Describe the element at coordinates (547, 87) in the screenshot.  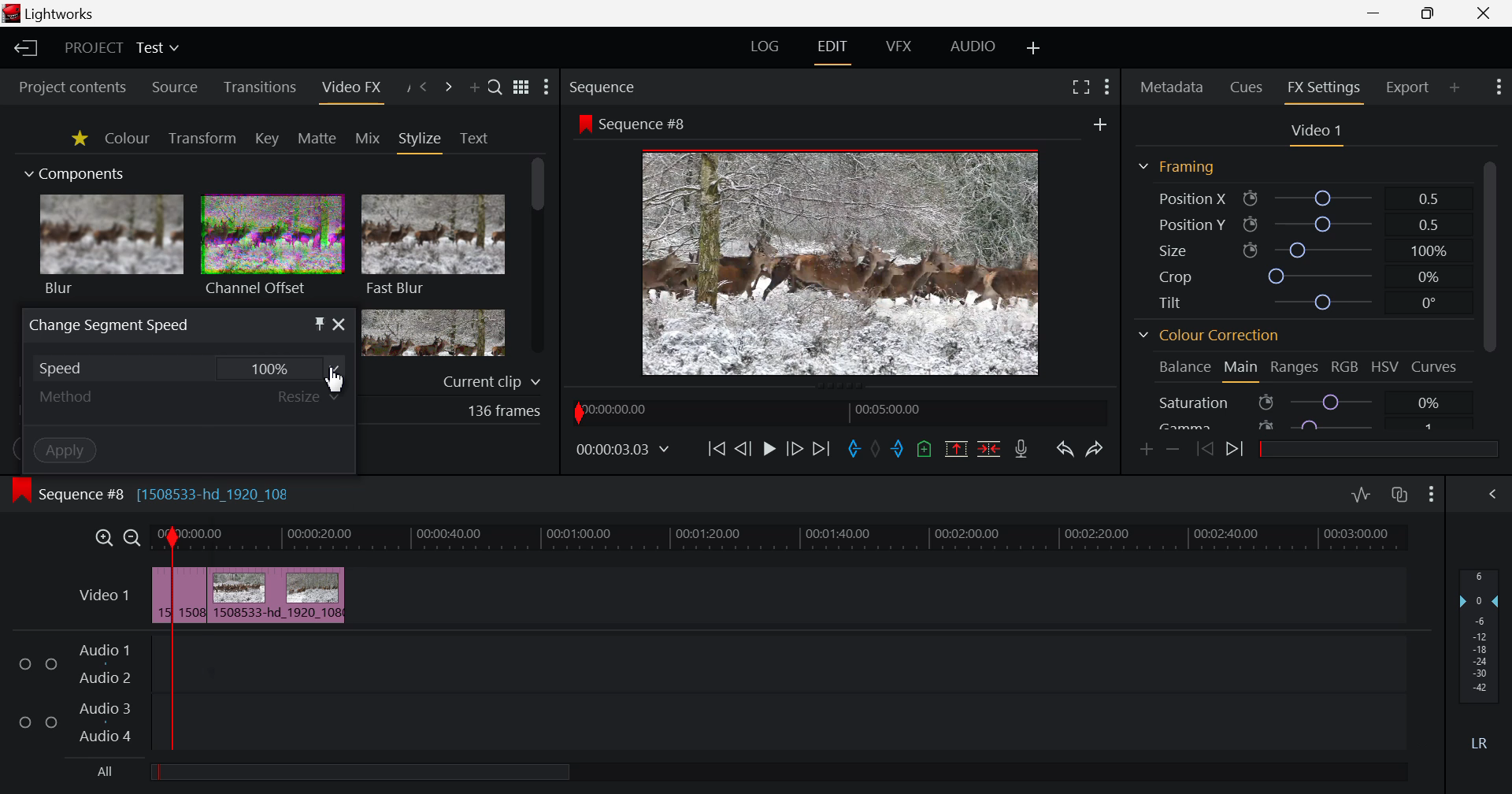
I see `Show Settings` at that location.